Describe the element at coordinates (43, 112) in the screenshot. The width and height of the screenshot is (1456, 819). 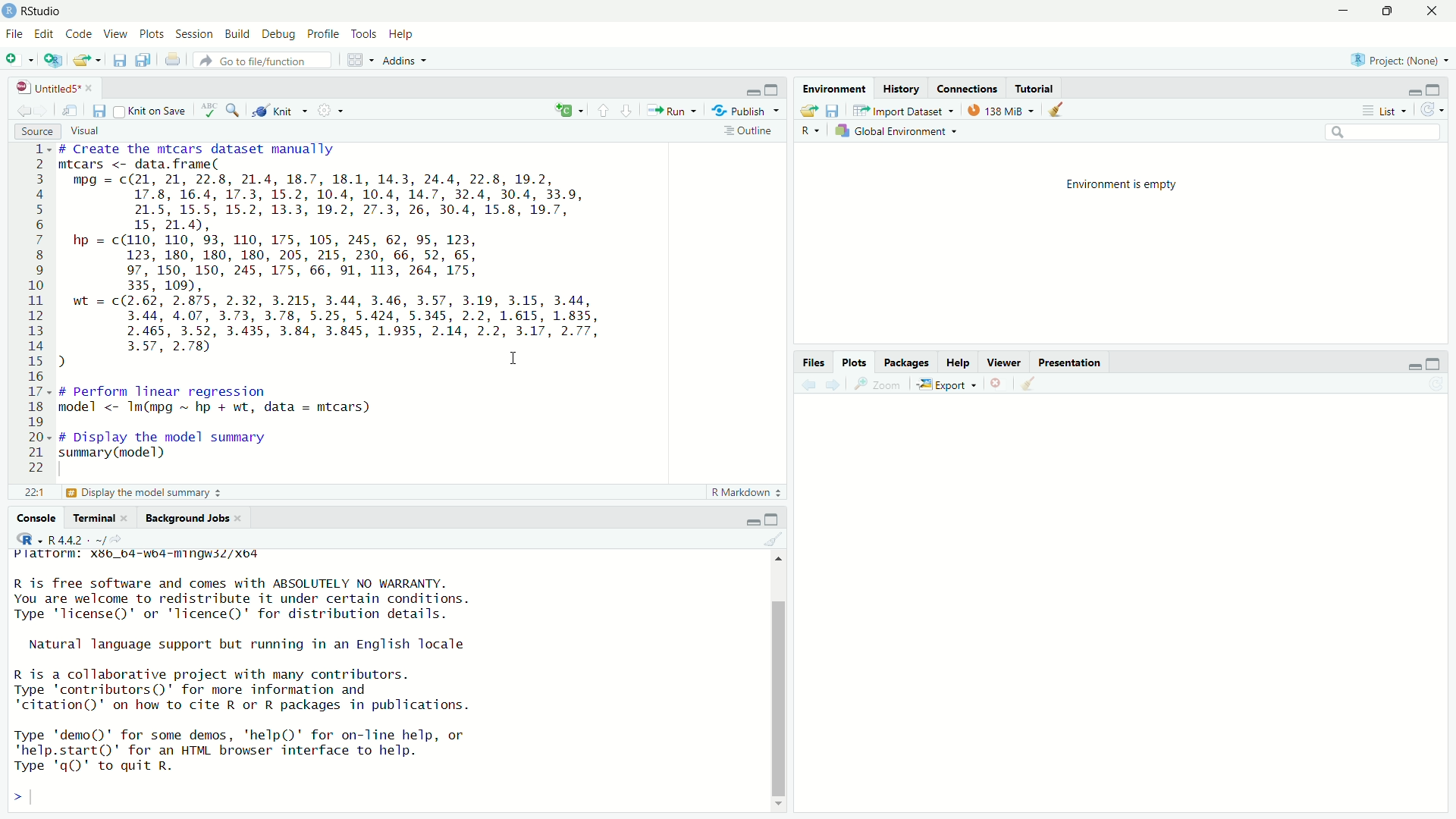
I see `go forward` at that location.